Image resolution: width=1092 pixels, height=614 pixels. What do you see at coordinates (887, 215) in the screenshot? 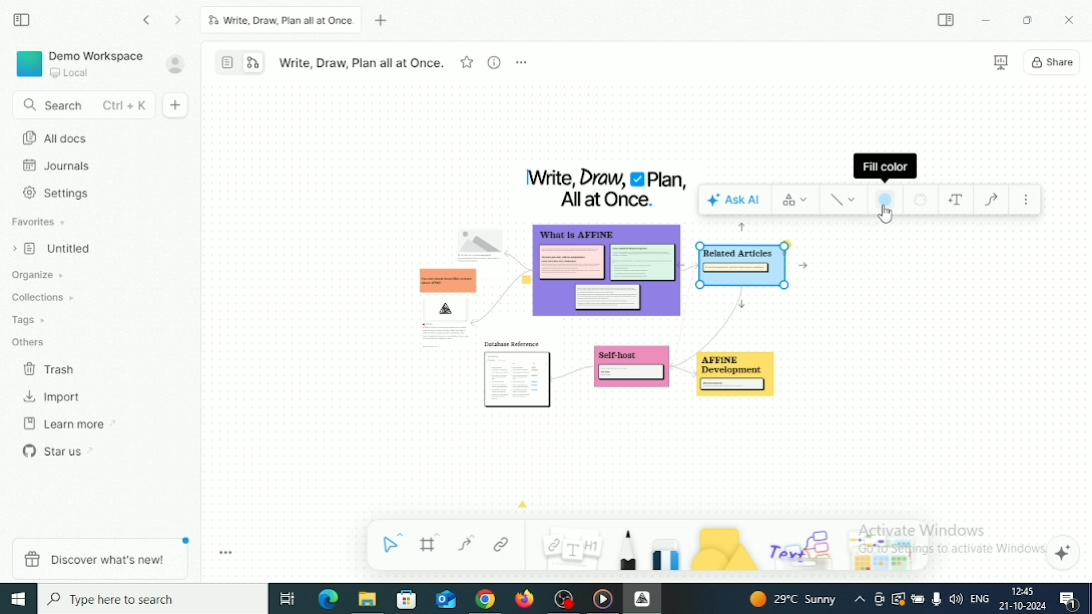
I see `Cursor` at bounding box center [887, 215].